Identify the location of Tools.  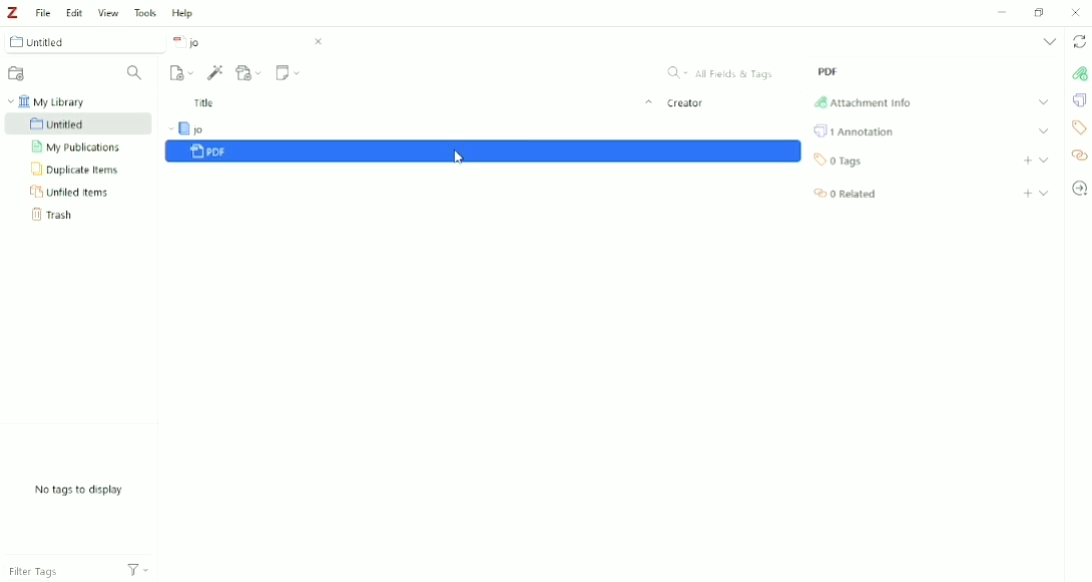
(145, 12).